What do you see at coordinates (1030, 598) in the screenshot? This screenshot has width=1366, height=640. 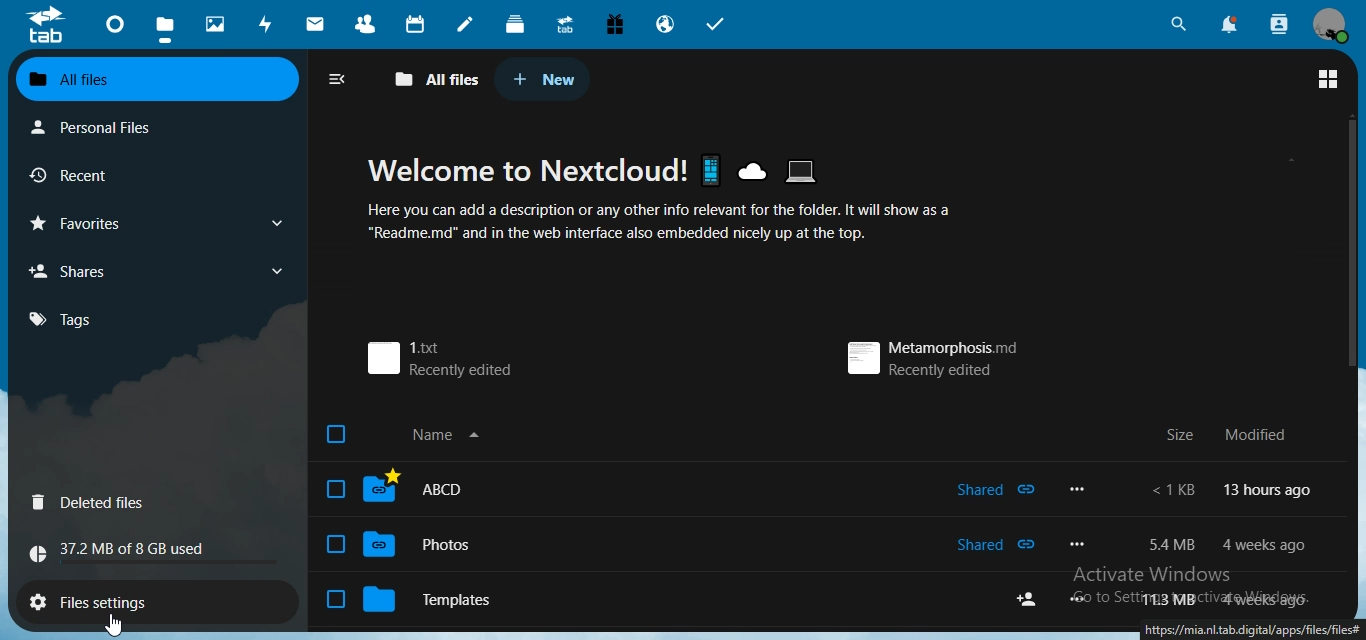 I see `share` at bounding box center [1030, 598].